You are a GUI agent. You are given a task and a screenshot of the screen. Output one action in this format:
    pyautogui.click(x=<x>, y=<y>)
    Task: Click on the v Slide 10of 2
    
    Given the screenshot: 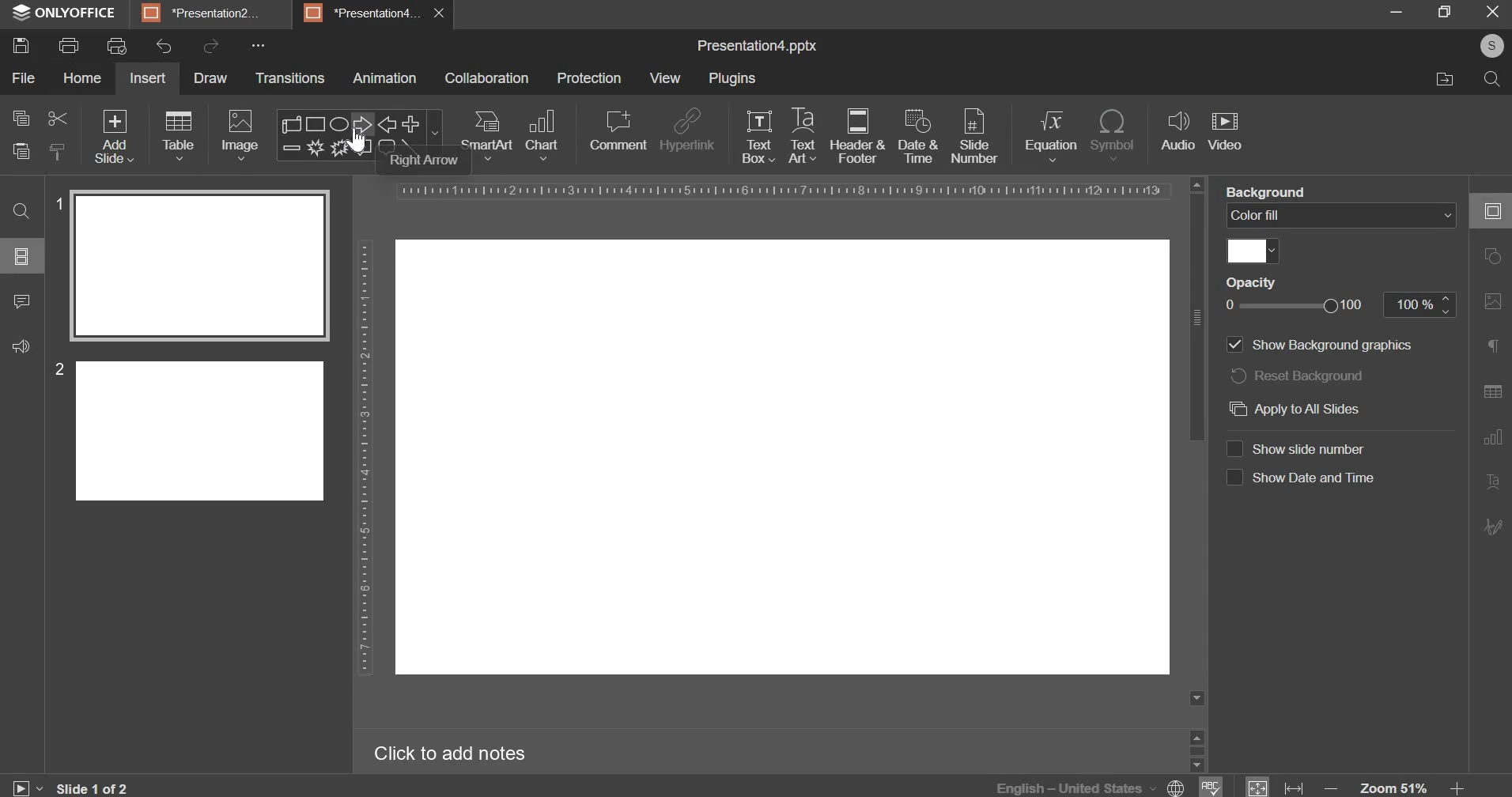 What is the action you would take?
    pyautogui.click(x=82, y=786)
    